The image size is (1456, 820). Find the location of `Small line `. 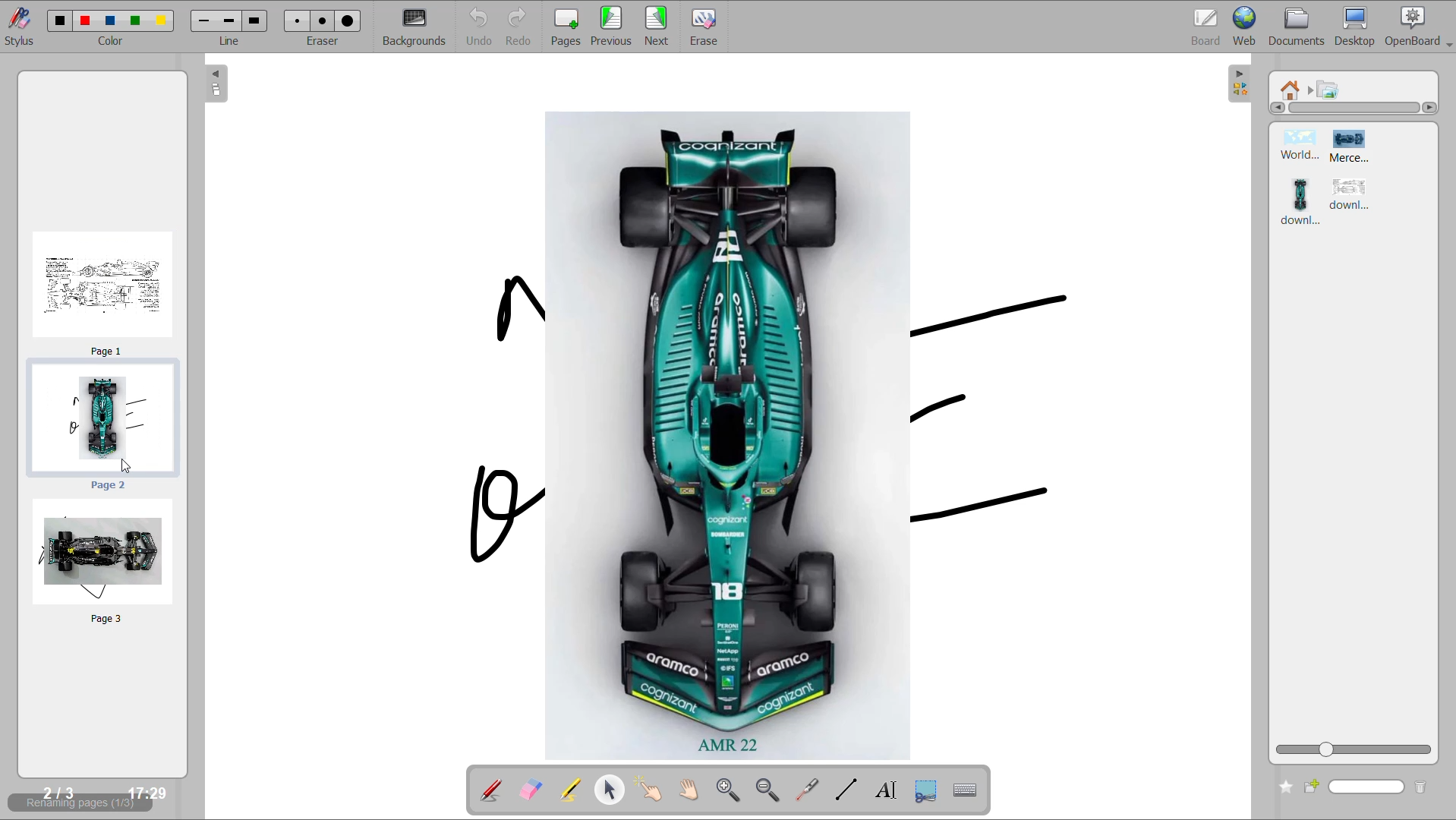

Small line  is located at coordinates (205, 21).